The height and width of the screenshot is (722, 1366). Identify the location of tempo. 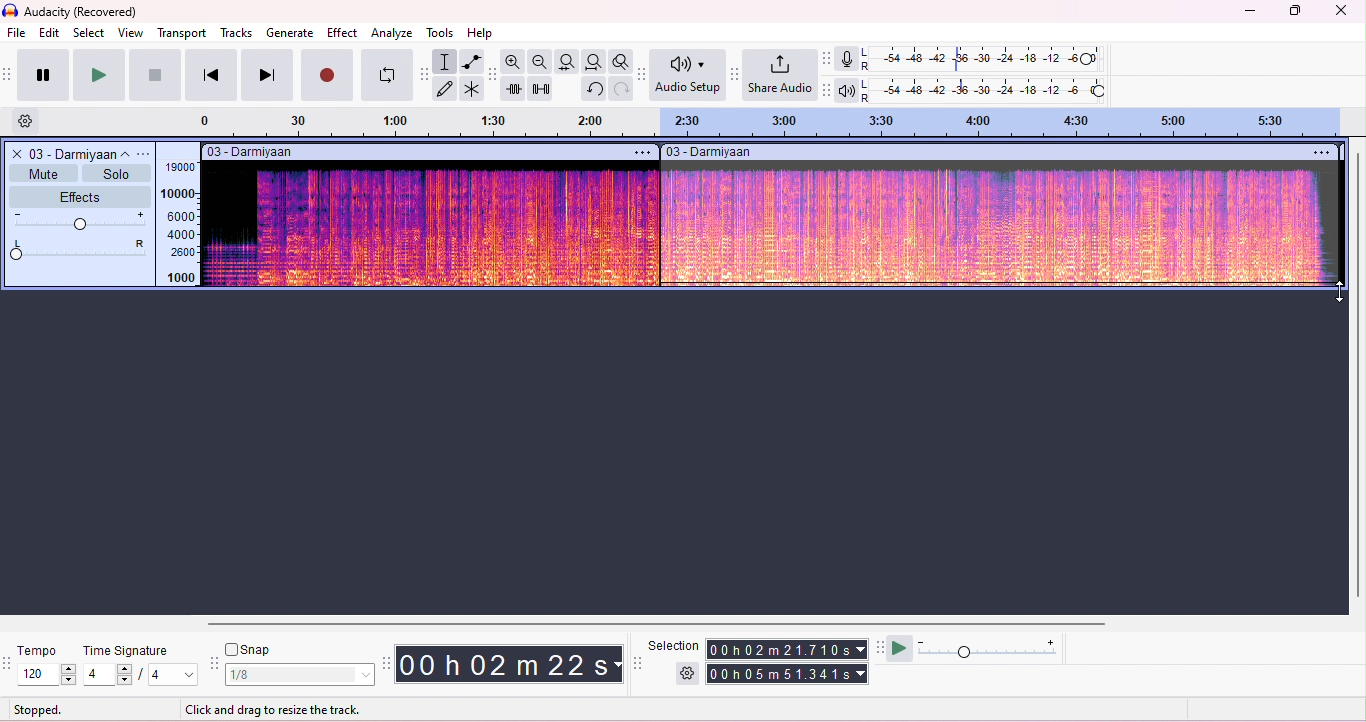
(39, 651).